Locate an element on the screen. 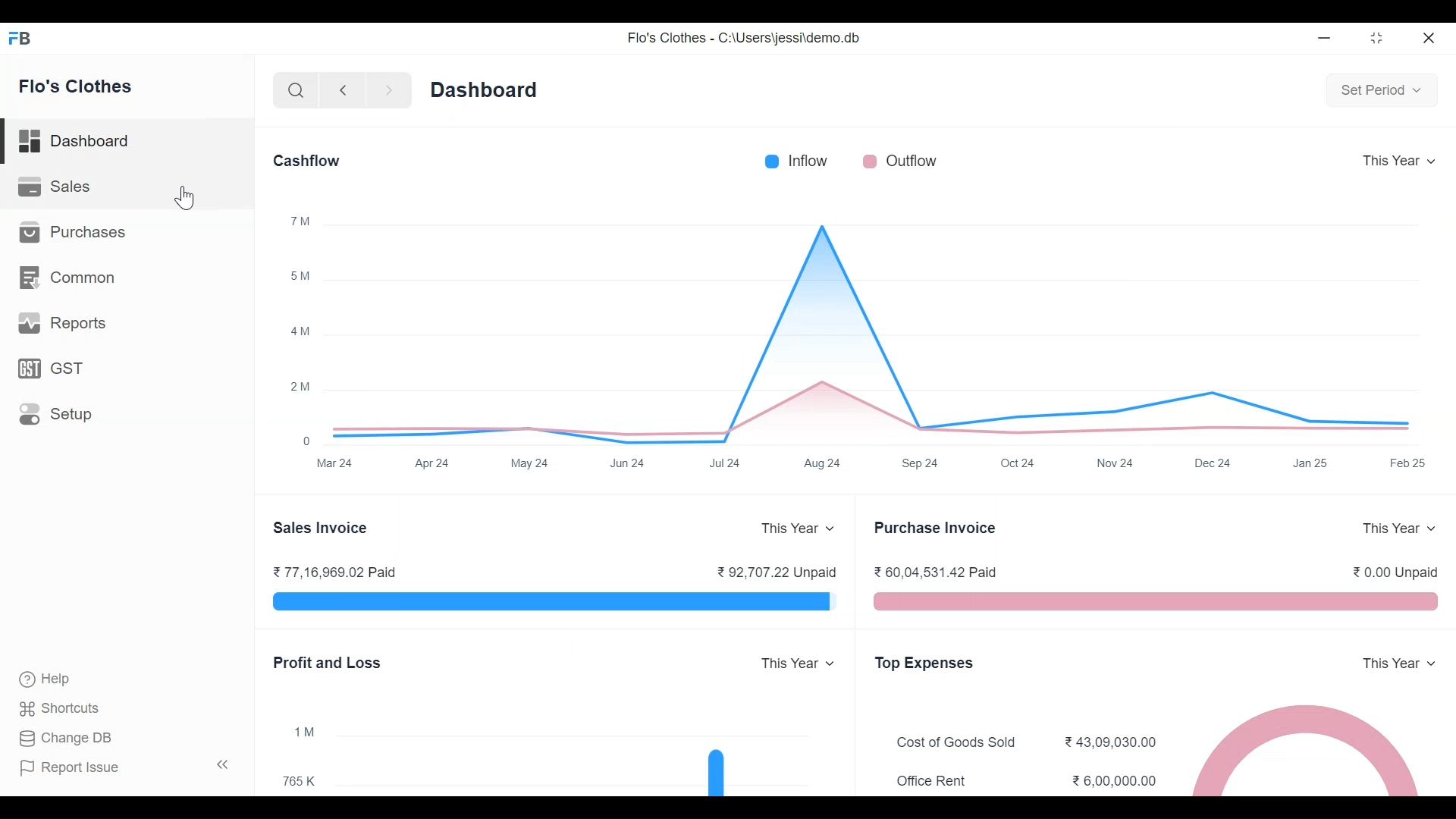 The width and height of the screenshot is (1456, 819). ‘Help is located at coordinates (46, 679).